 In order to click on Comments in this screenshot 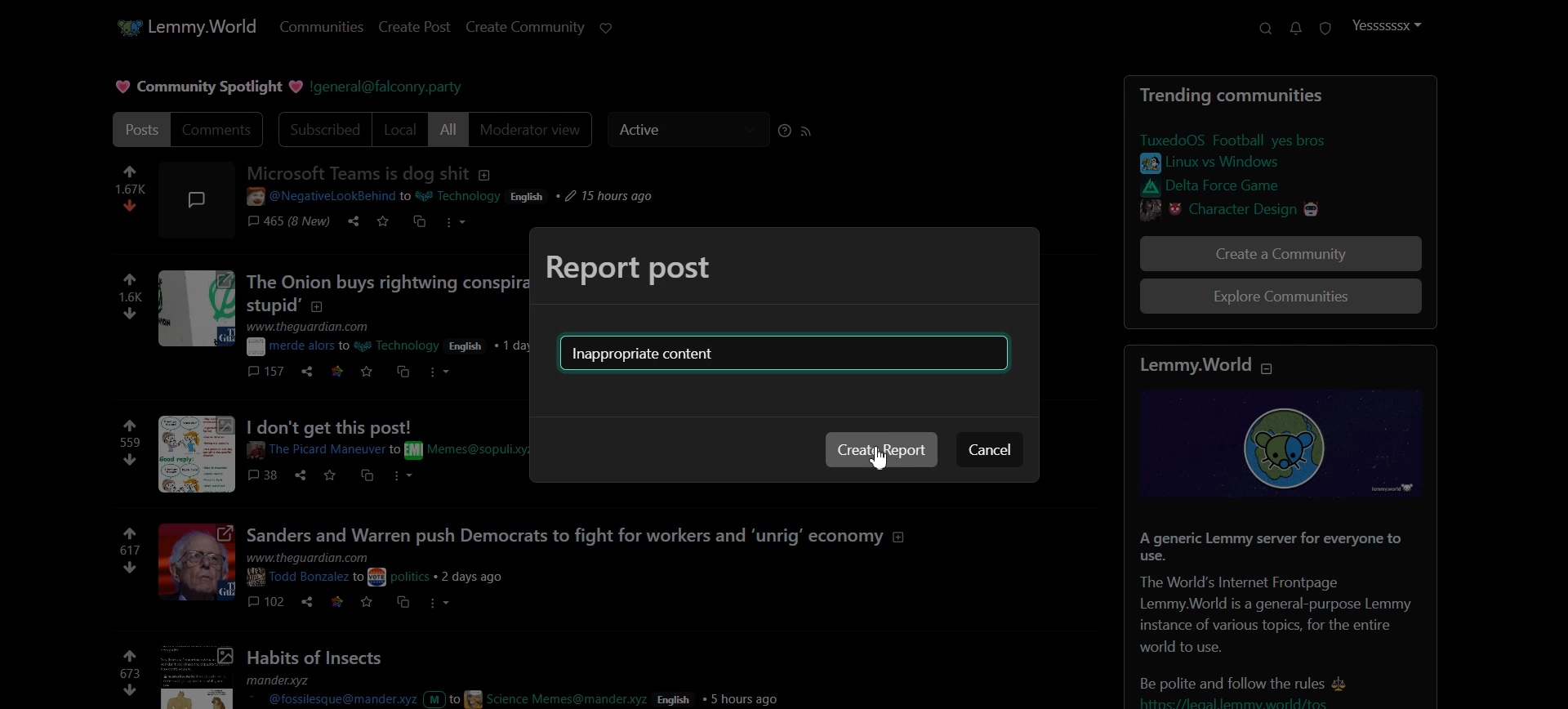, I will do `click(220, 129)`.